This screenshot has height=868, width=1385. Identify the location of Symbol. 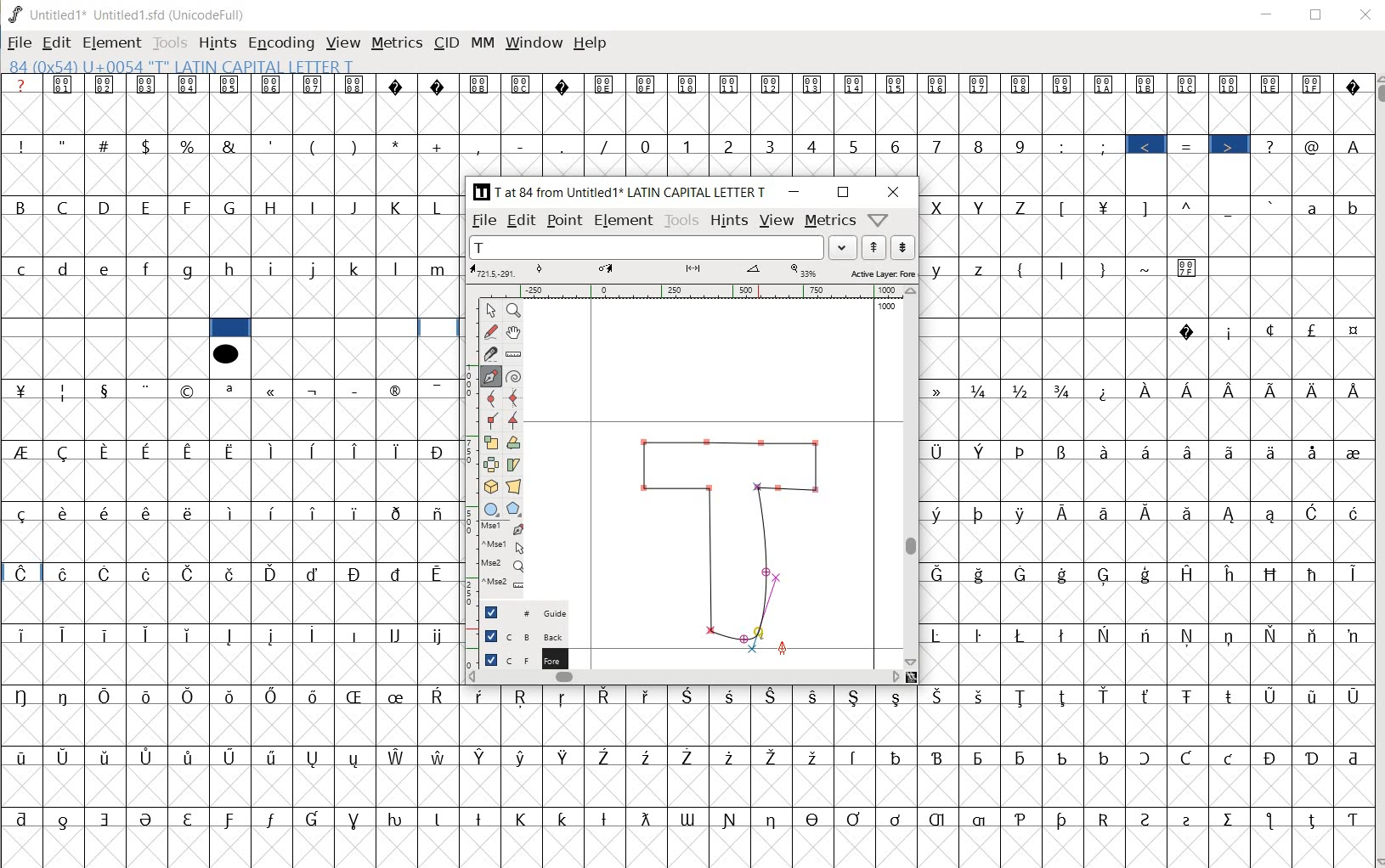
(897, 757).